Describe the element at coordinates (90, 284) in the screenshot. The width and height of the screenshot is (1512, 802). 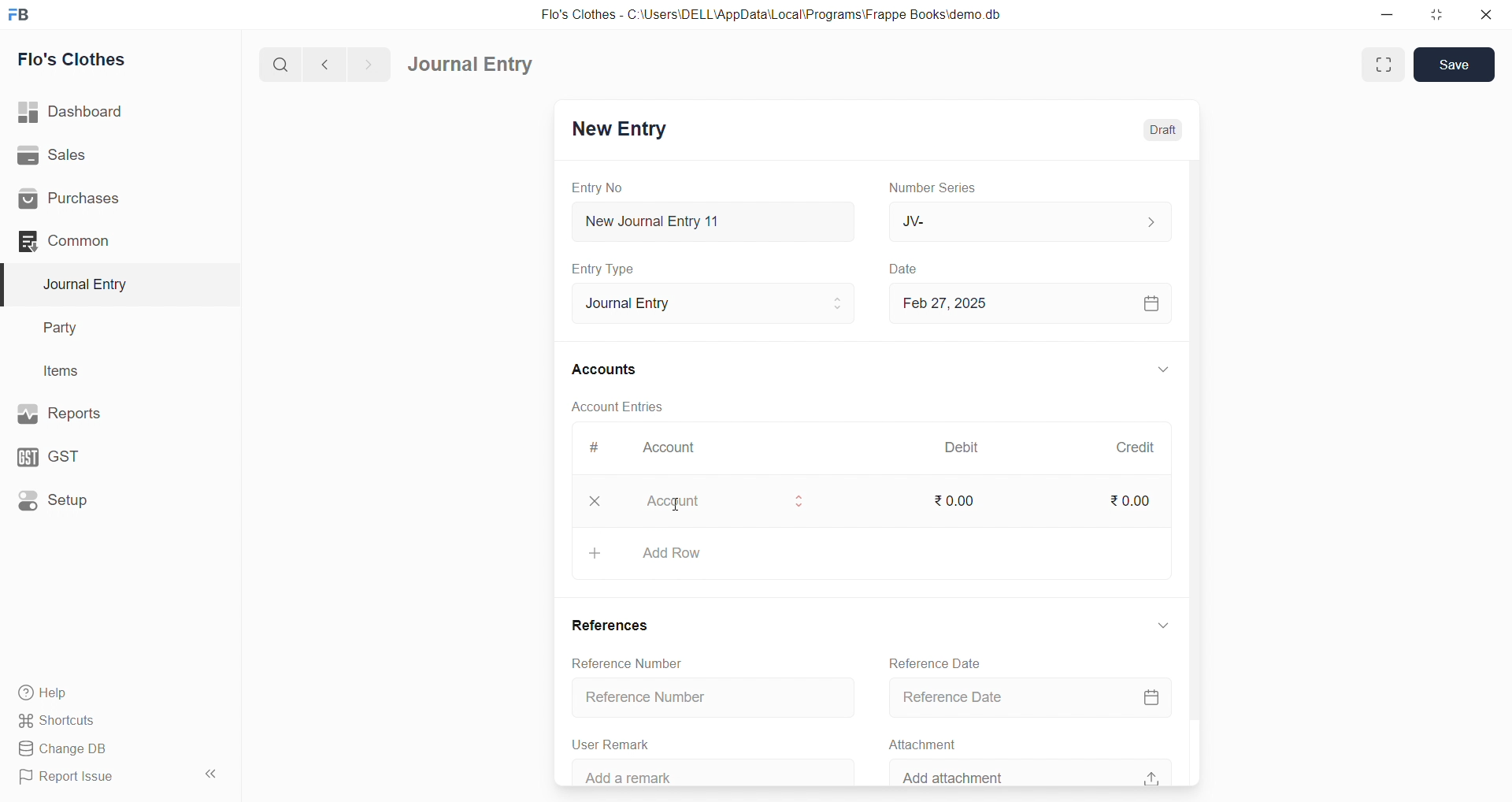
I see `Journal Entry` at that location.